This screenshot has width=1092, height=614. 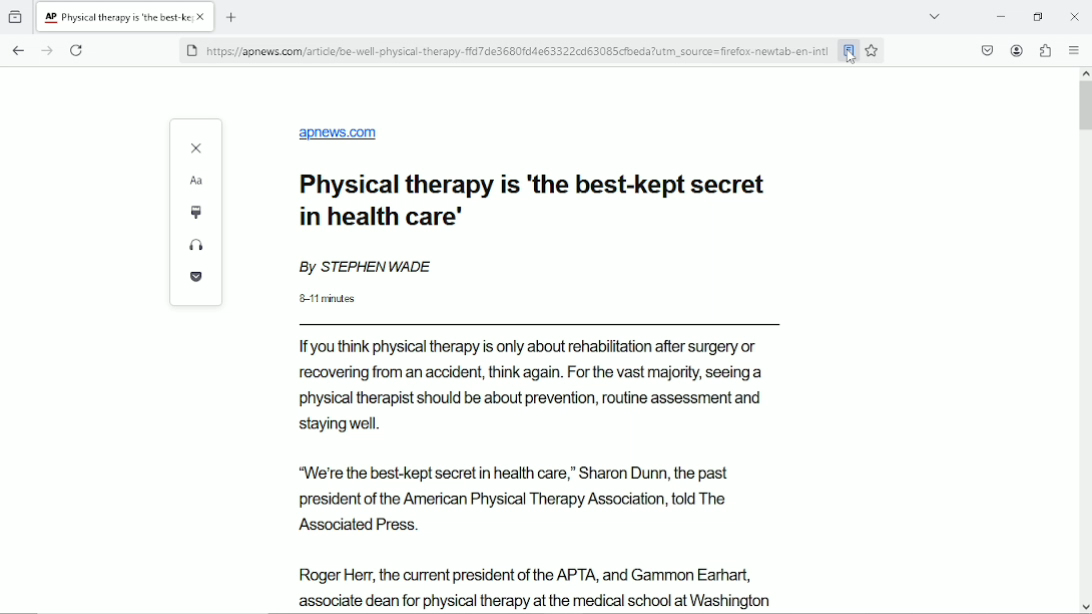 What do you see at coordinates (520, 51) in the screenshot?
I see `link` at bounding box center [520, 51].